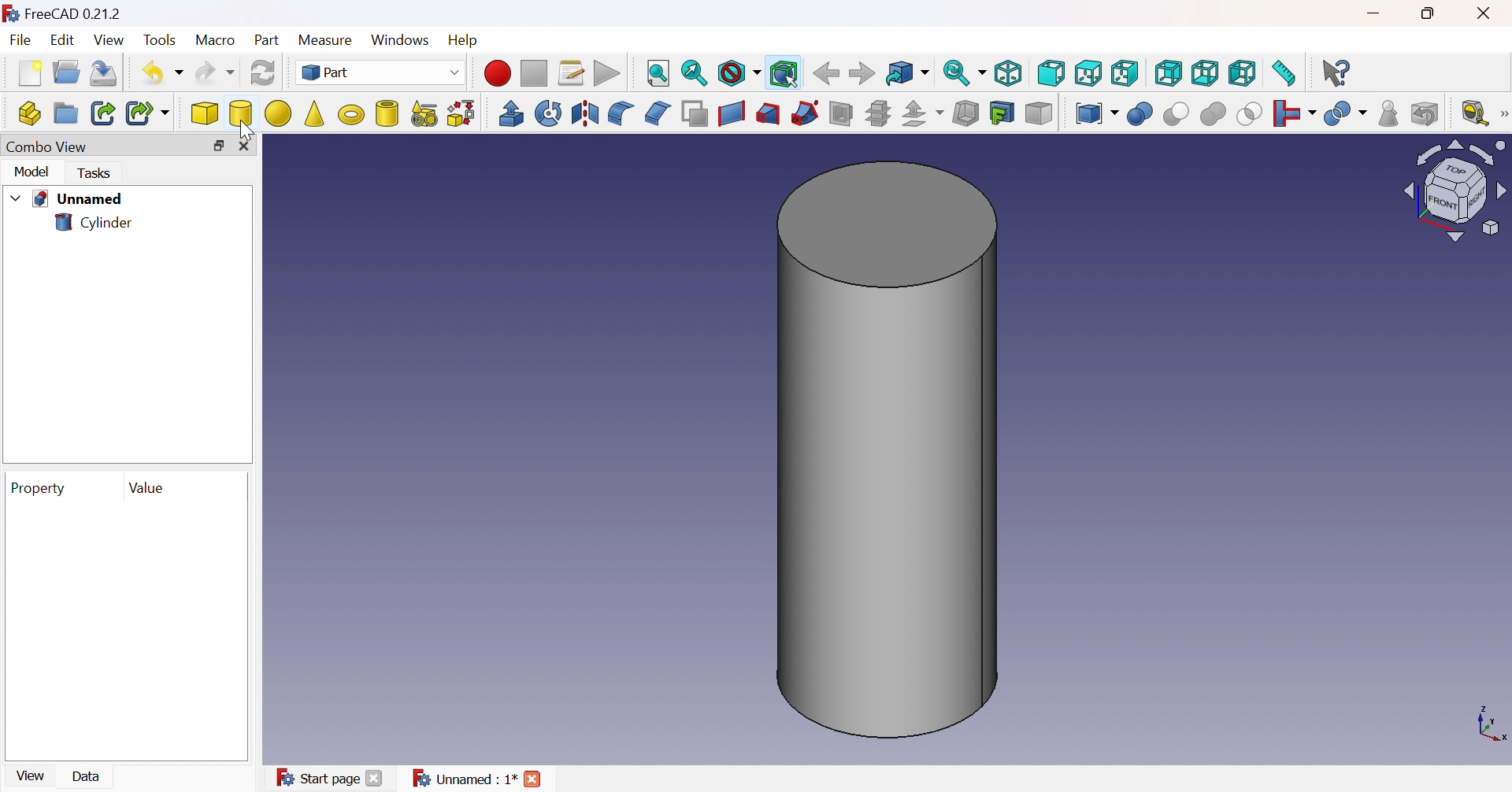 The width and height of the screenshot is (1512, 792). Describe the element at coordinates (877, 116) in the screenshot. I see `Cross-sections` at that location.